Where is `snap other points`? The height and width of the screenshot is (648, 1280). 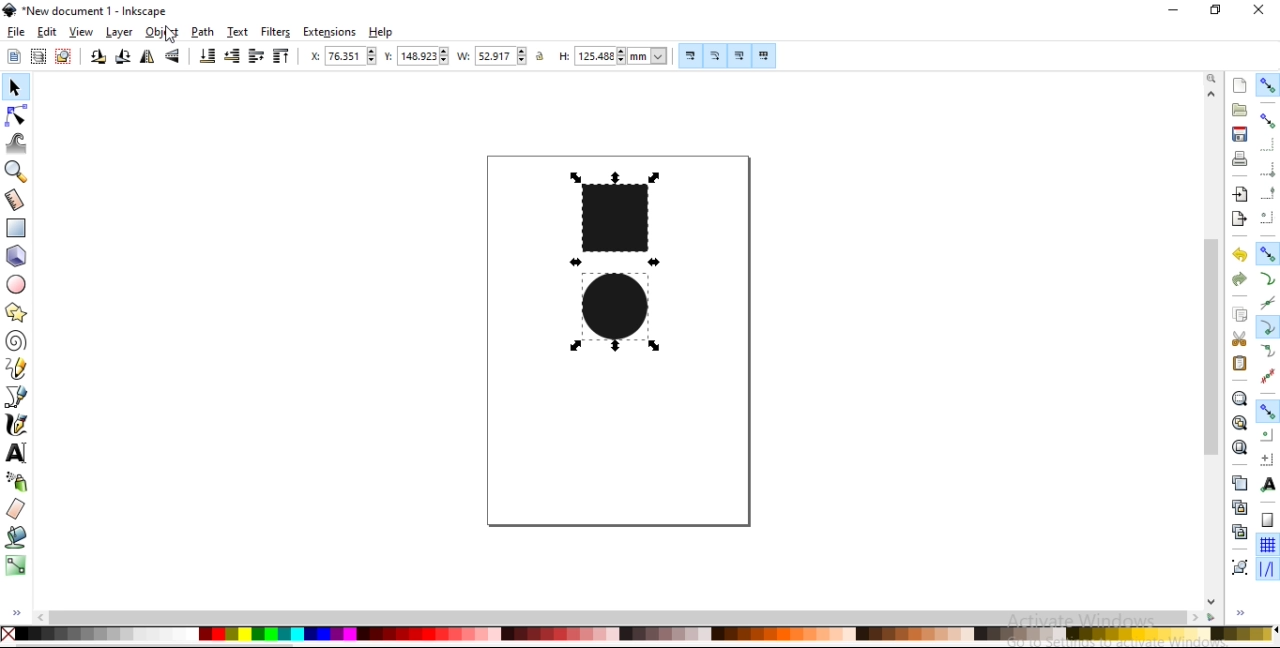
snap other points is located at coordinates (1268, 411).